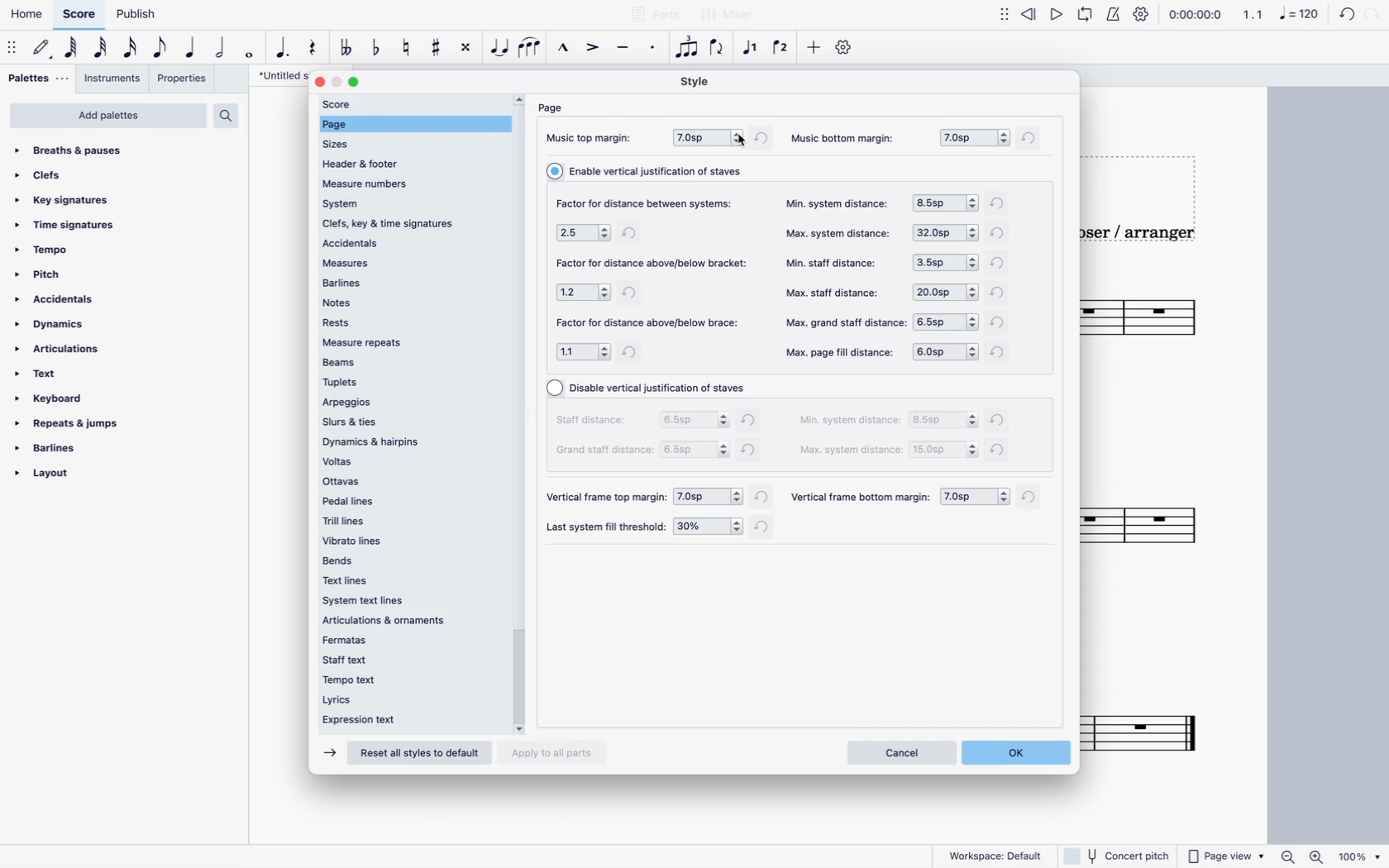 The height and width of the screenshot is (868, 1389). Describe the element at coordinates (408, 281) in the screenshot. I see `barlines` at that location.